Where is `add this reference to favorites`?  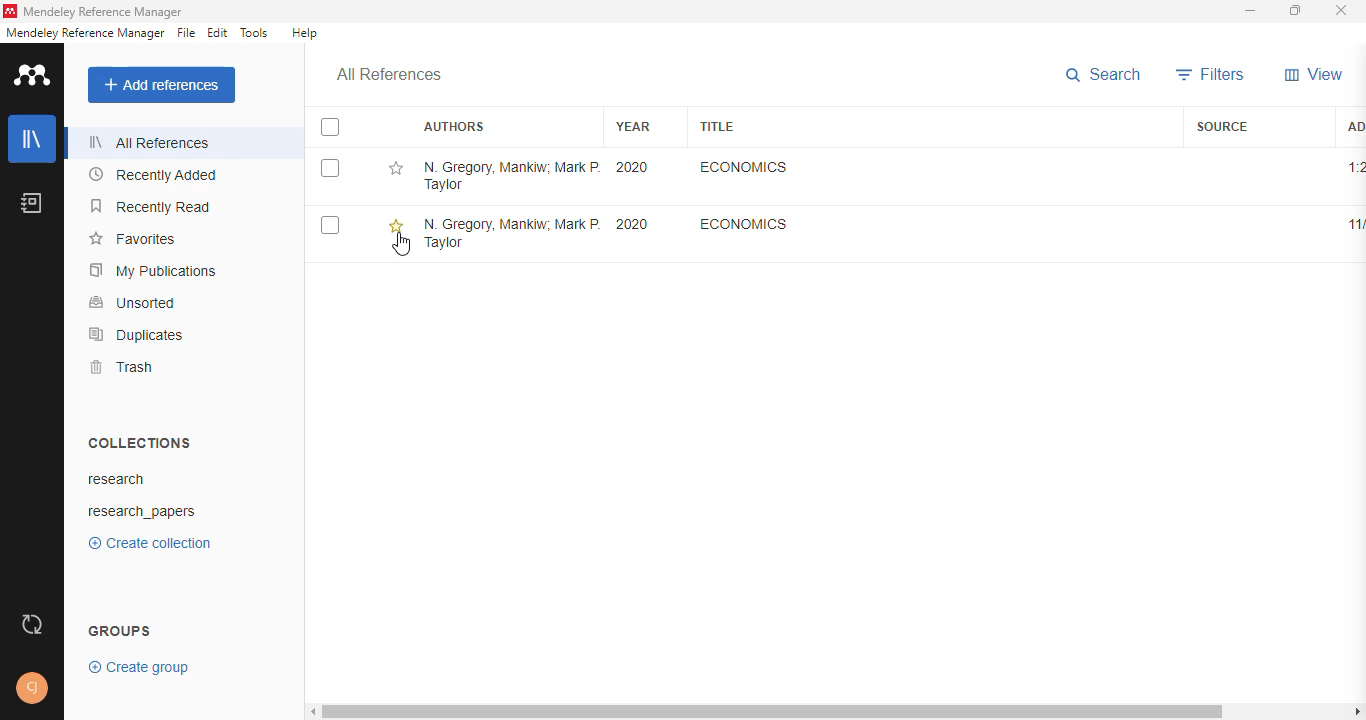
add this reference to favorites is located at coordinates (395, 226).